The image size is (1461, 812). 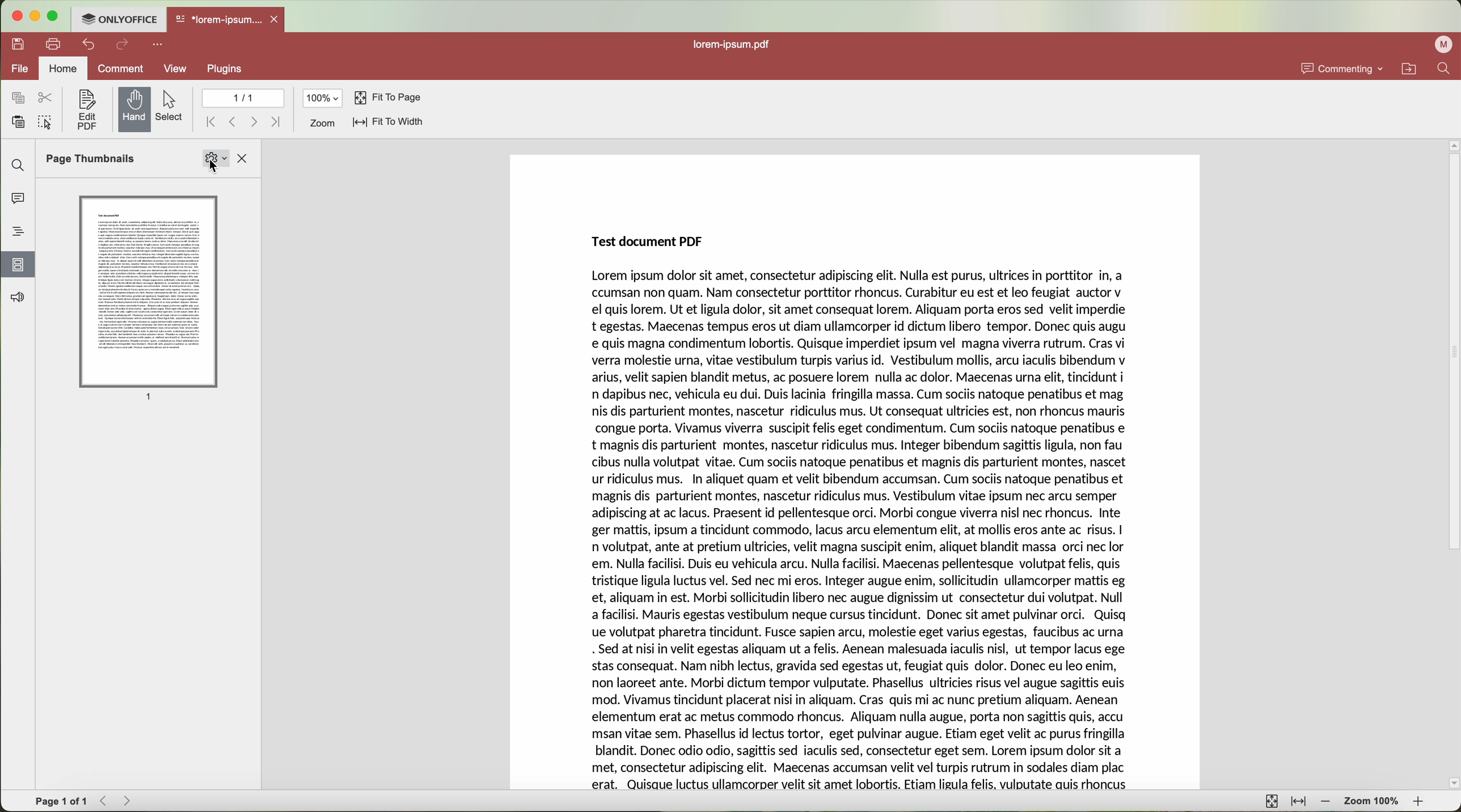 I want to click on profile, so click(x=1443, y=45).